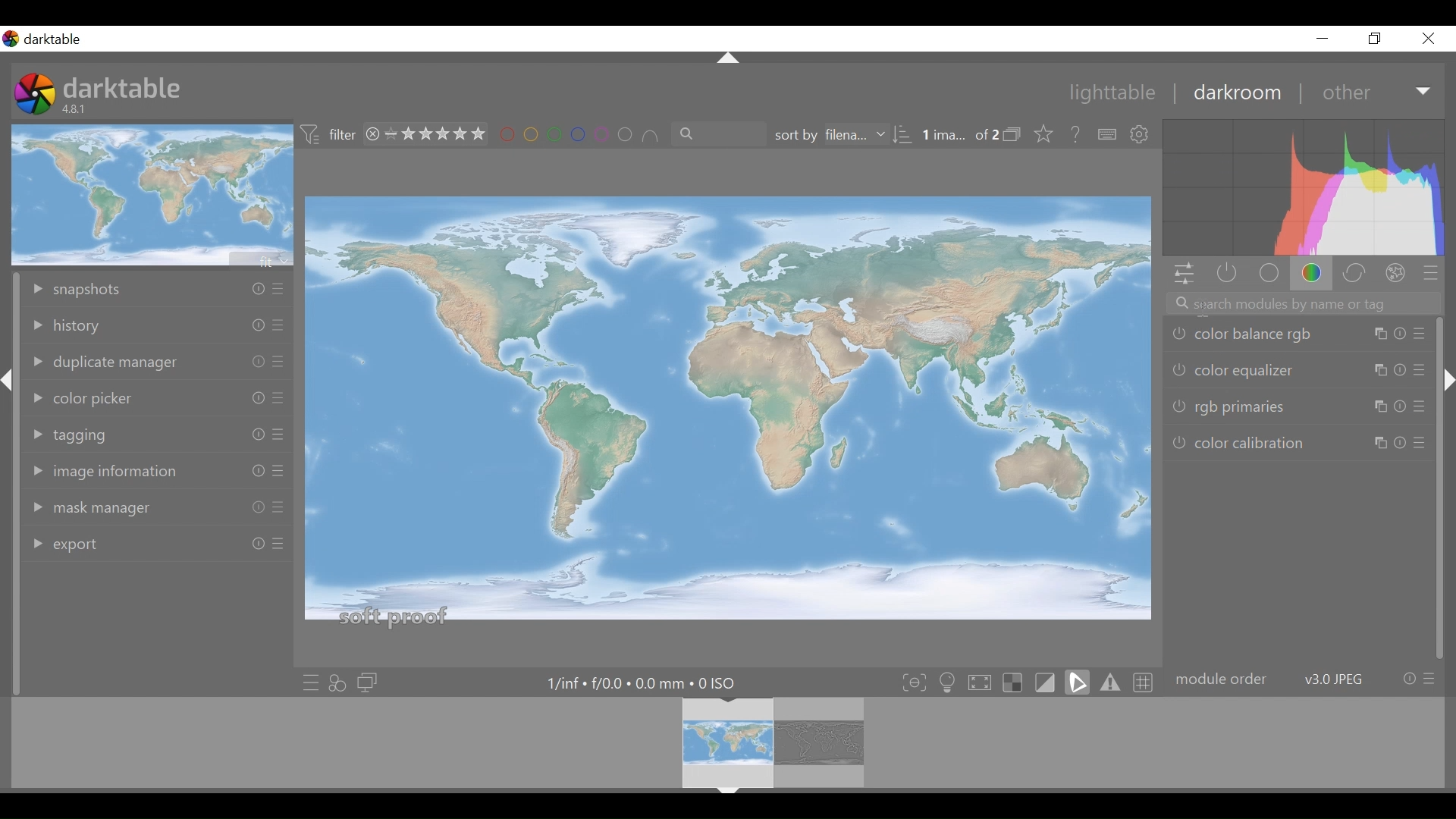  What do you see at coordinates (639, 682) in the screenshot?
I see `Maximum Exposure` at bounding box center [639, 682].